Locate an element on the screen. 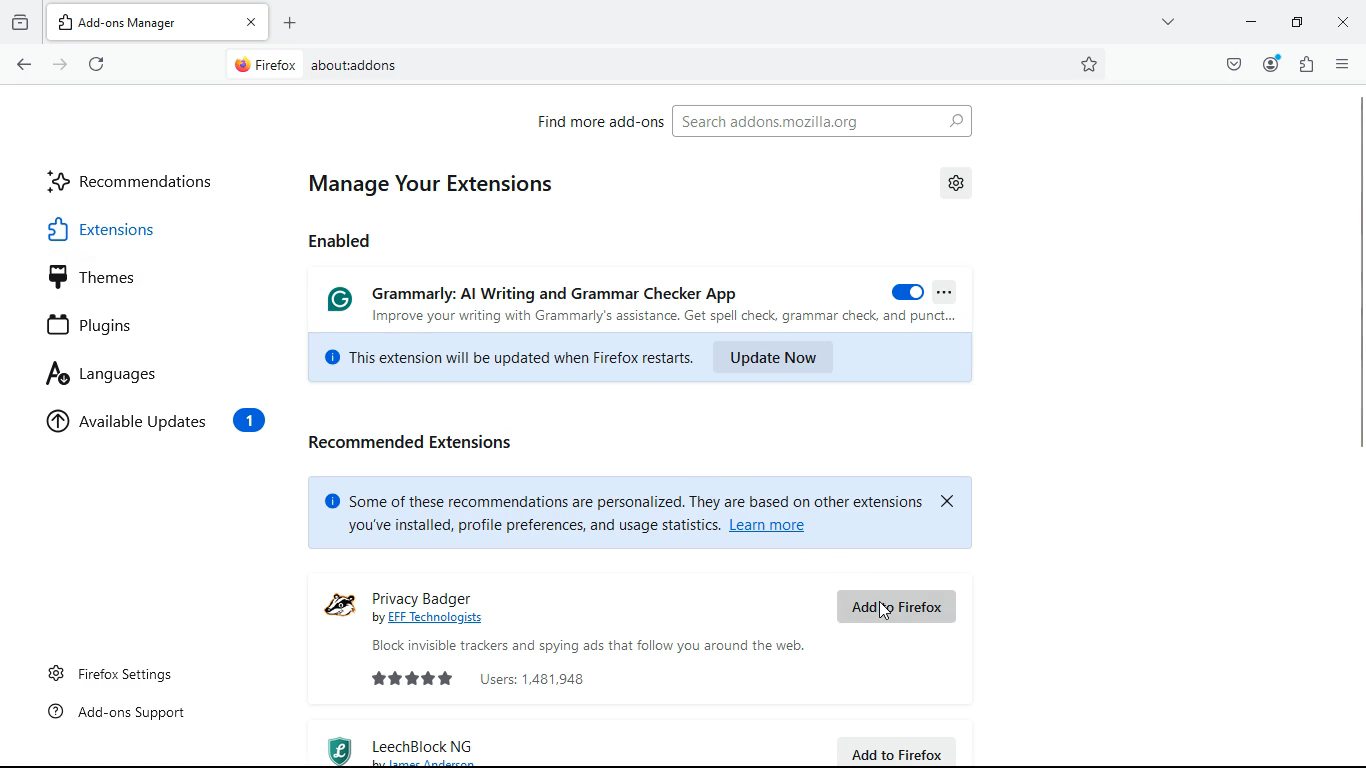 The image size is (1366, 768). find more add-ons is located at coordinates (597, 126).